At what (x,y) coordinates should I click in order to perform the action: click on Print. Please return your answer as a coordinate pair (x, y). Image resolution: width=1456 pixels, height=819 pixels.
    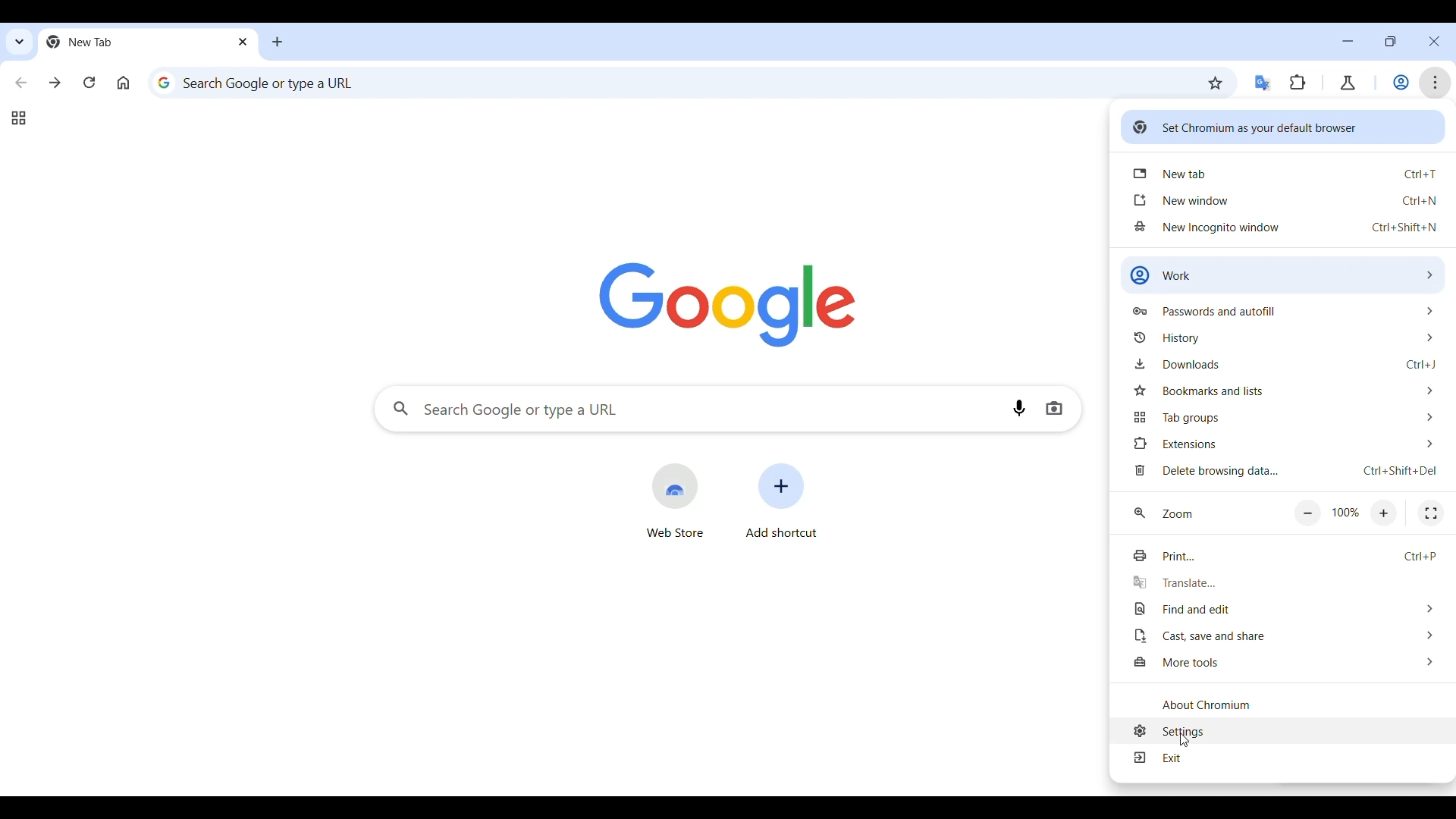
    Looking at the image, I should click on (1284, 556).